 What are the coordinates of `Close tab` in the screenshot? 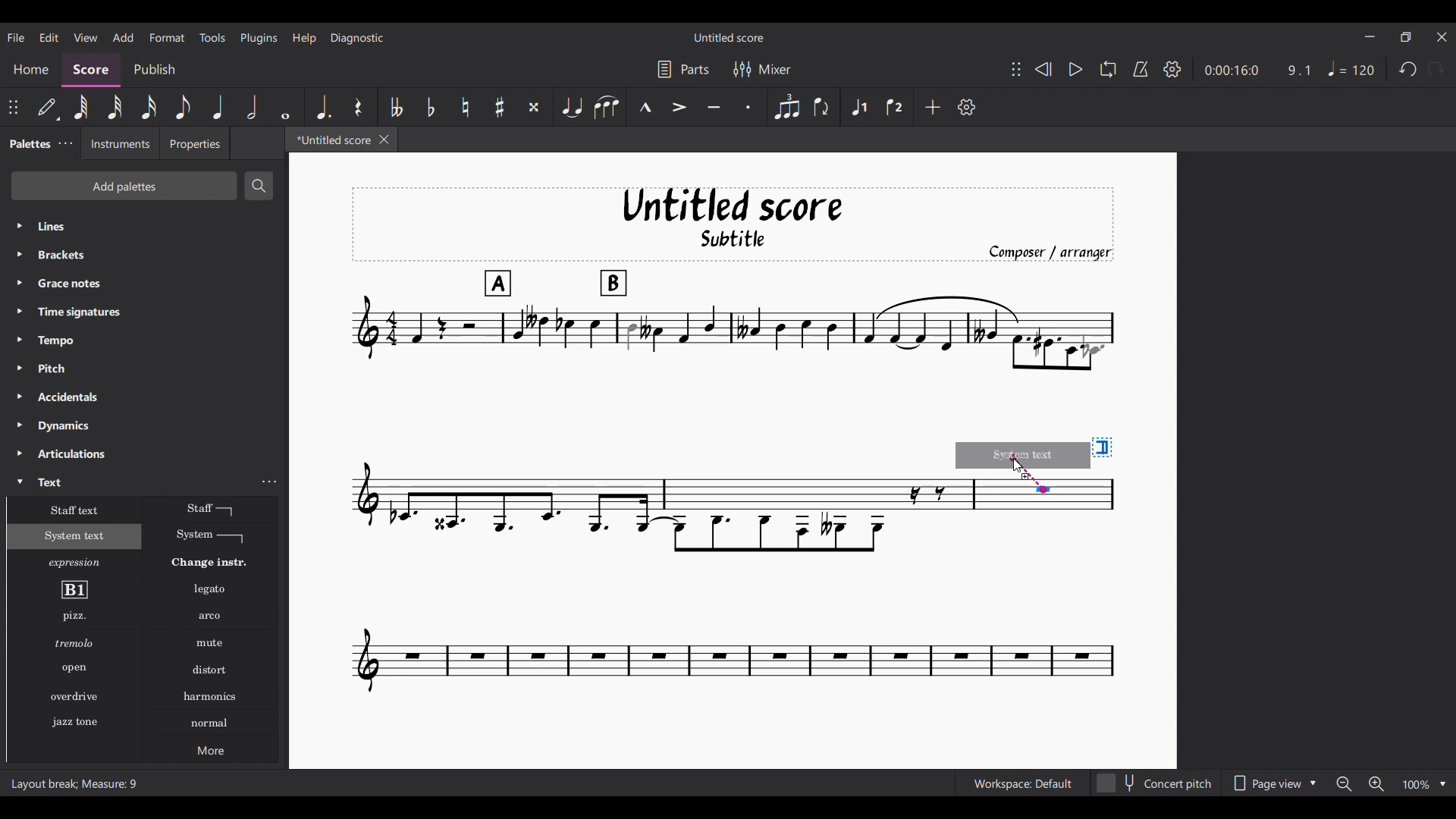 It's located at (384, 140).